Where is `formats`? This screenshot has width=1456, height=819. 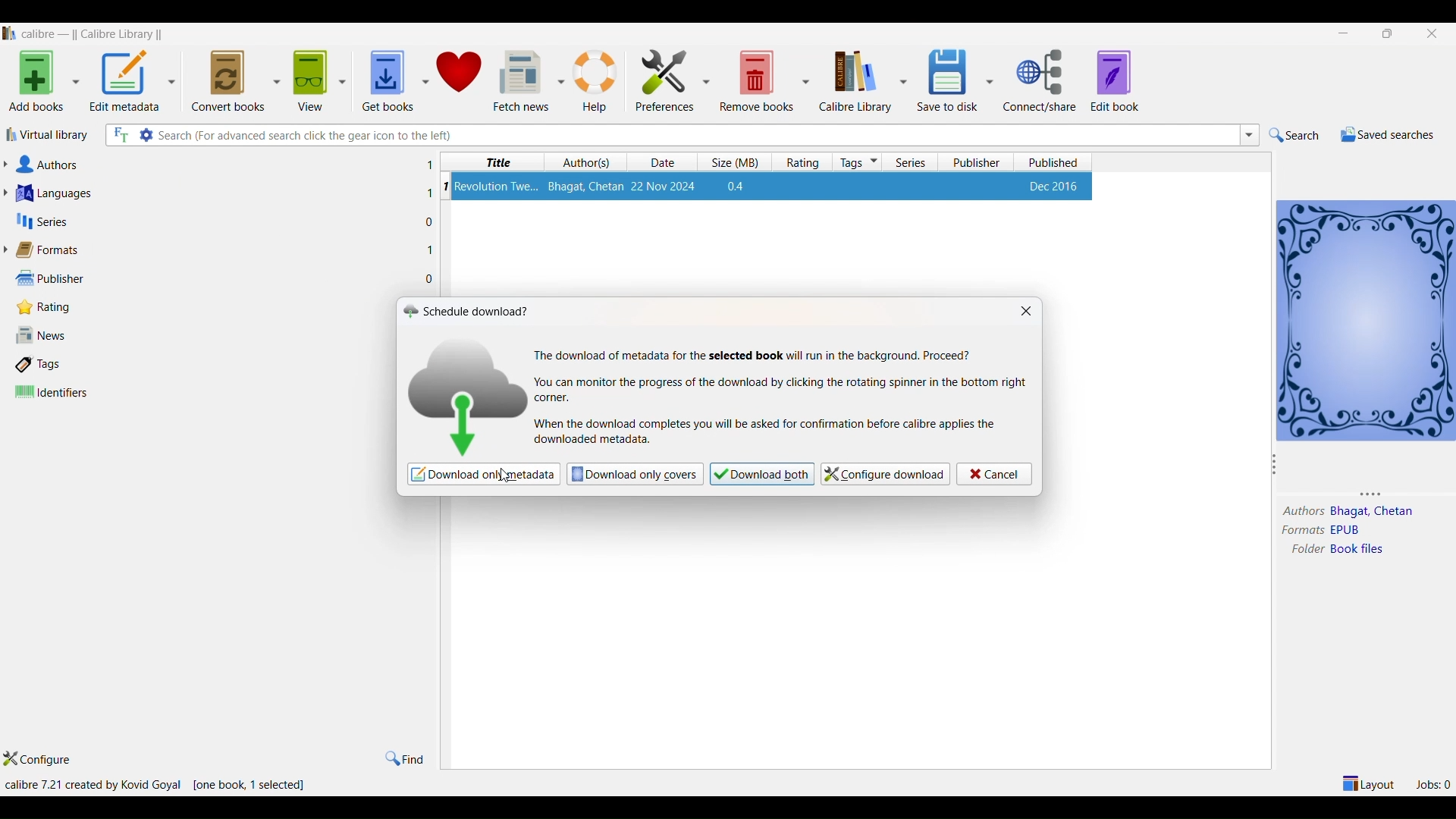
formats is located at coordinates (1299, 530).